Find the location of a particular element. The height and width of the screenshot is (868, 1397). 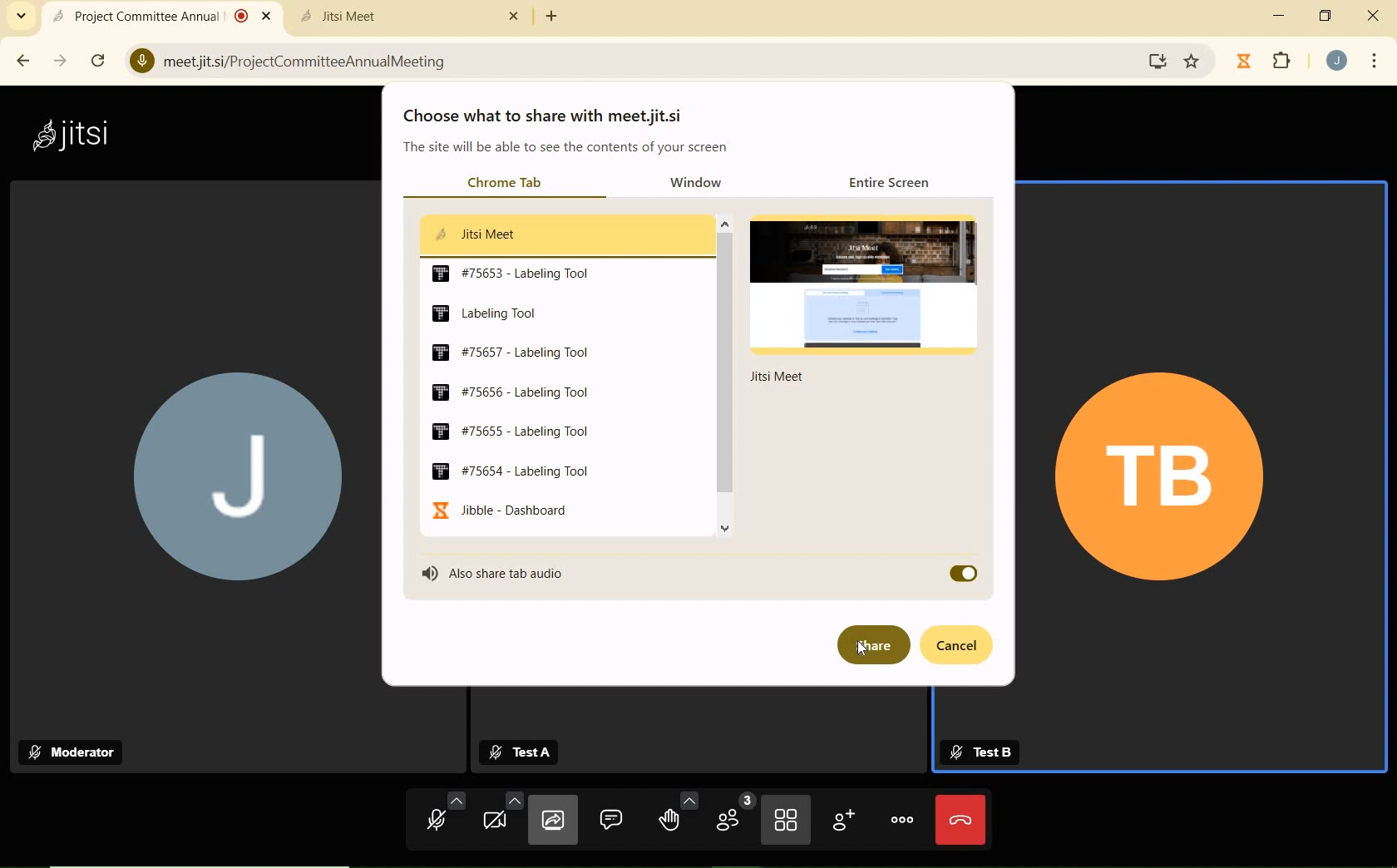

search tabs is located at coordinates (23, 17).